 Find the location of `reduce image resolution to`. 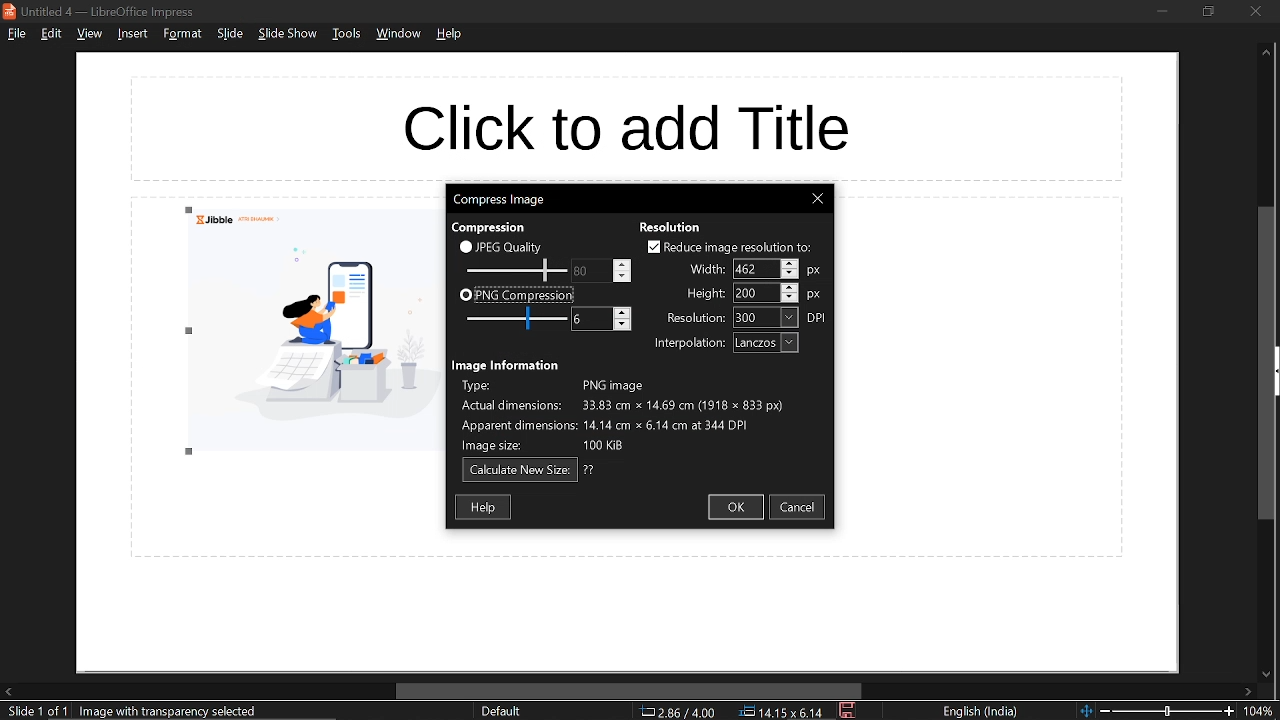

reduce image resolution to is located at coordinates (730, 247).